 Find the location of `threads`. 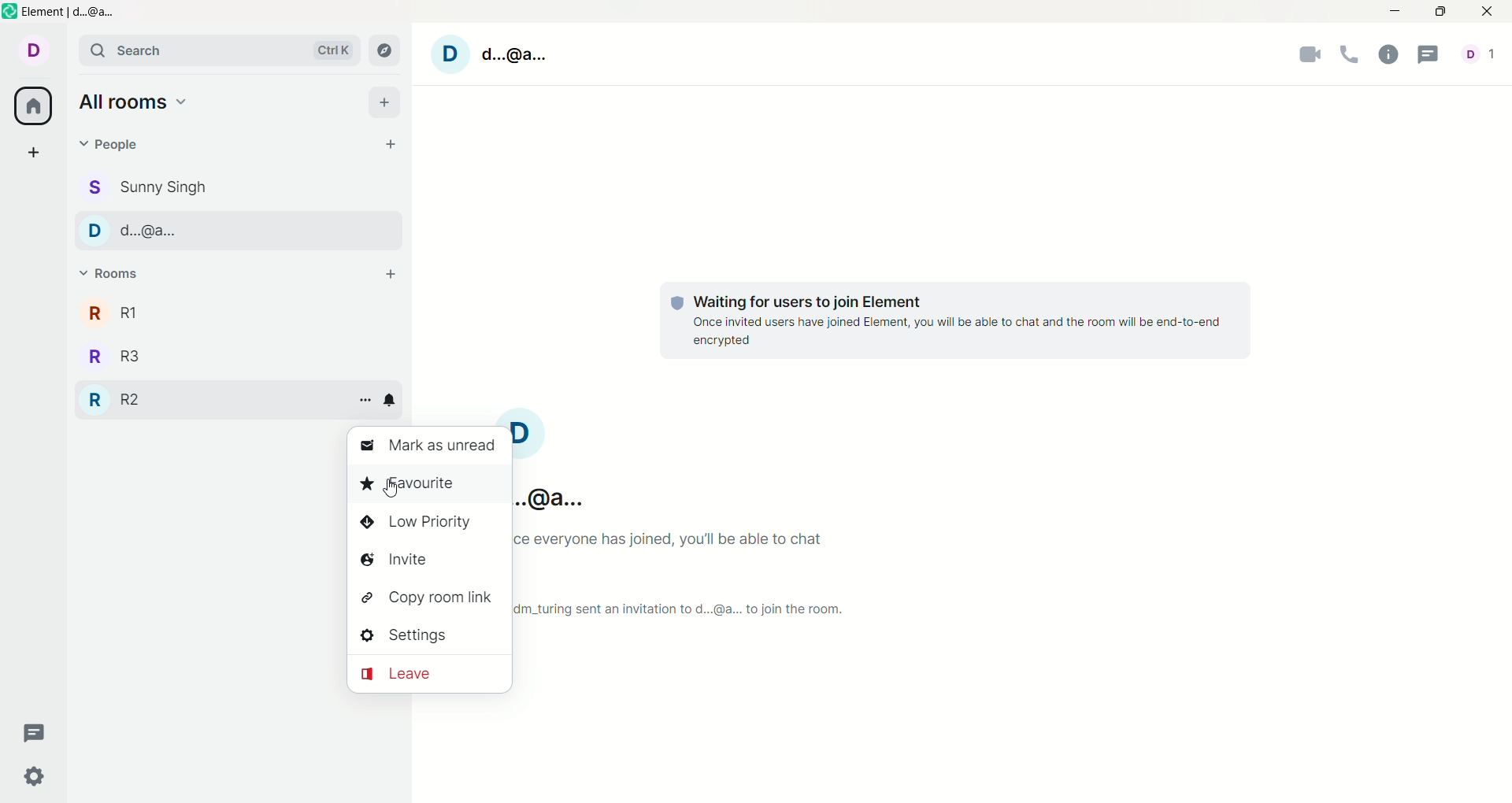

threads is located at coordinates (34, 732).